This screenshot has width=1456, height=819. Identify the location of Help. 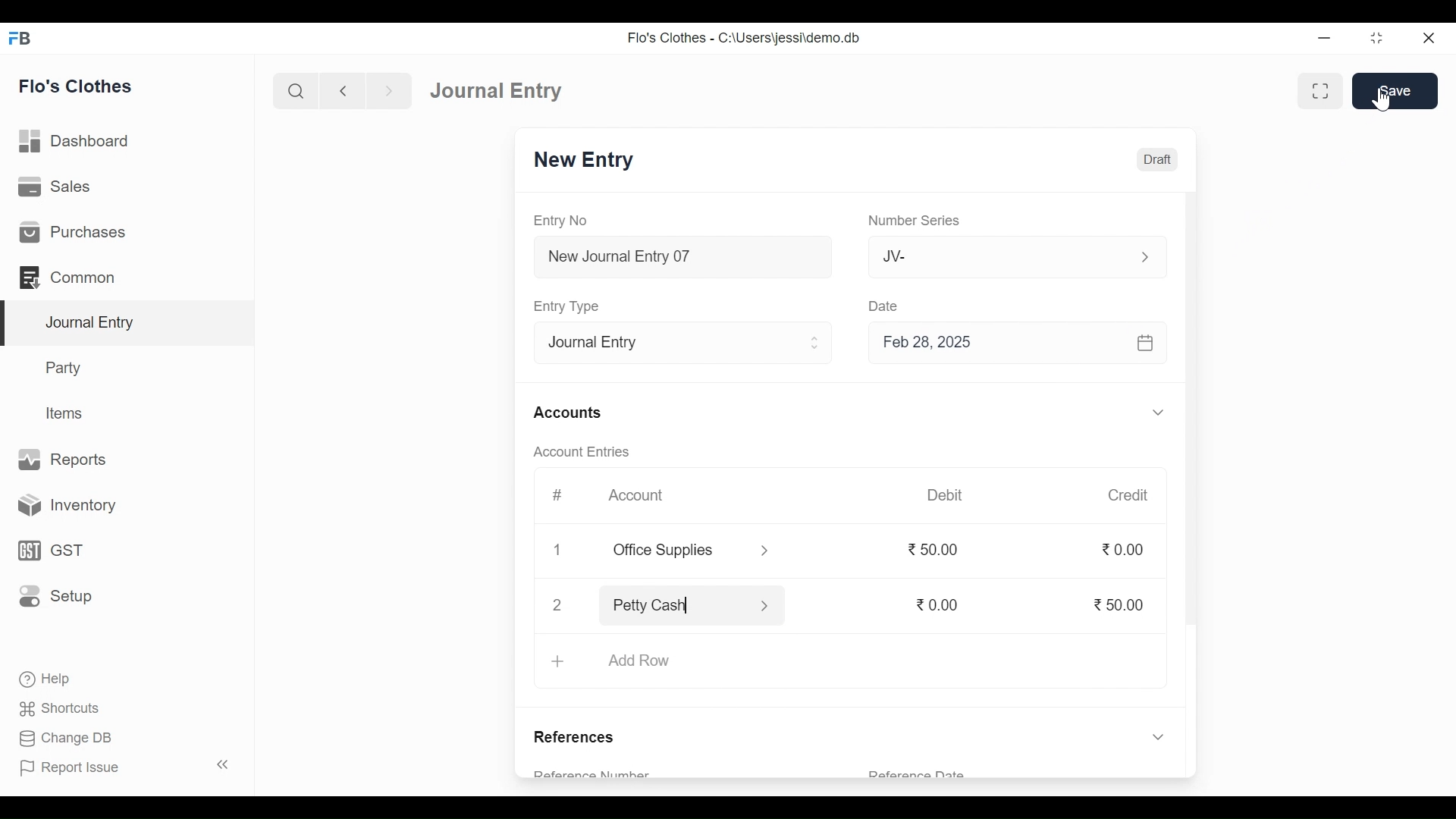
(43, 677).